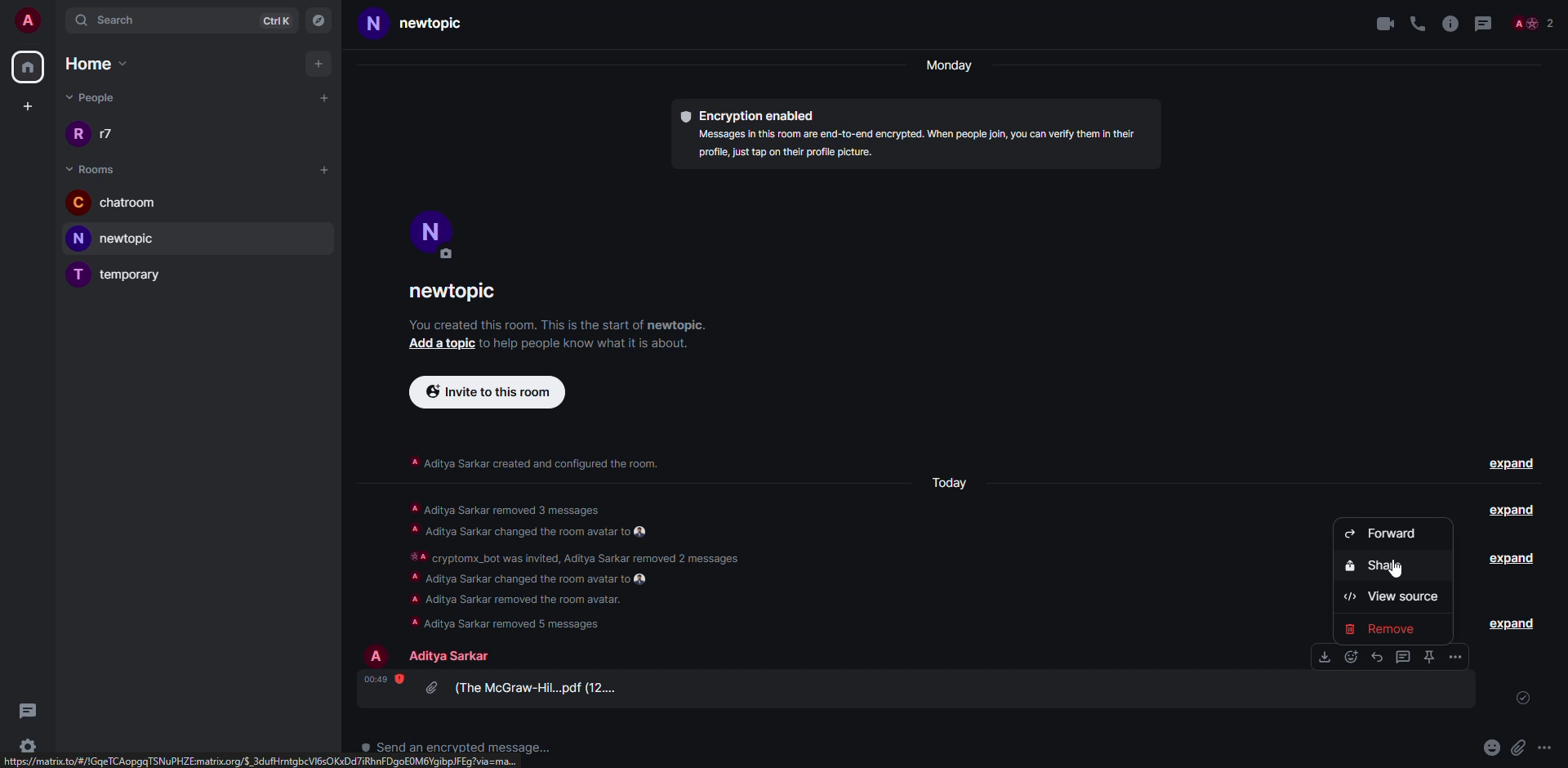 This screenshot has height=768, width=1568. What do you see at coordinates (1457, 657) in the screenshot?
I see `options` at bounding box center [1457, 657].